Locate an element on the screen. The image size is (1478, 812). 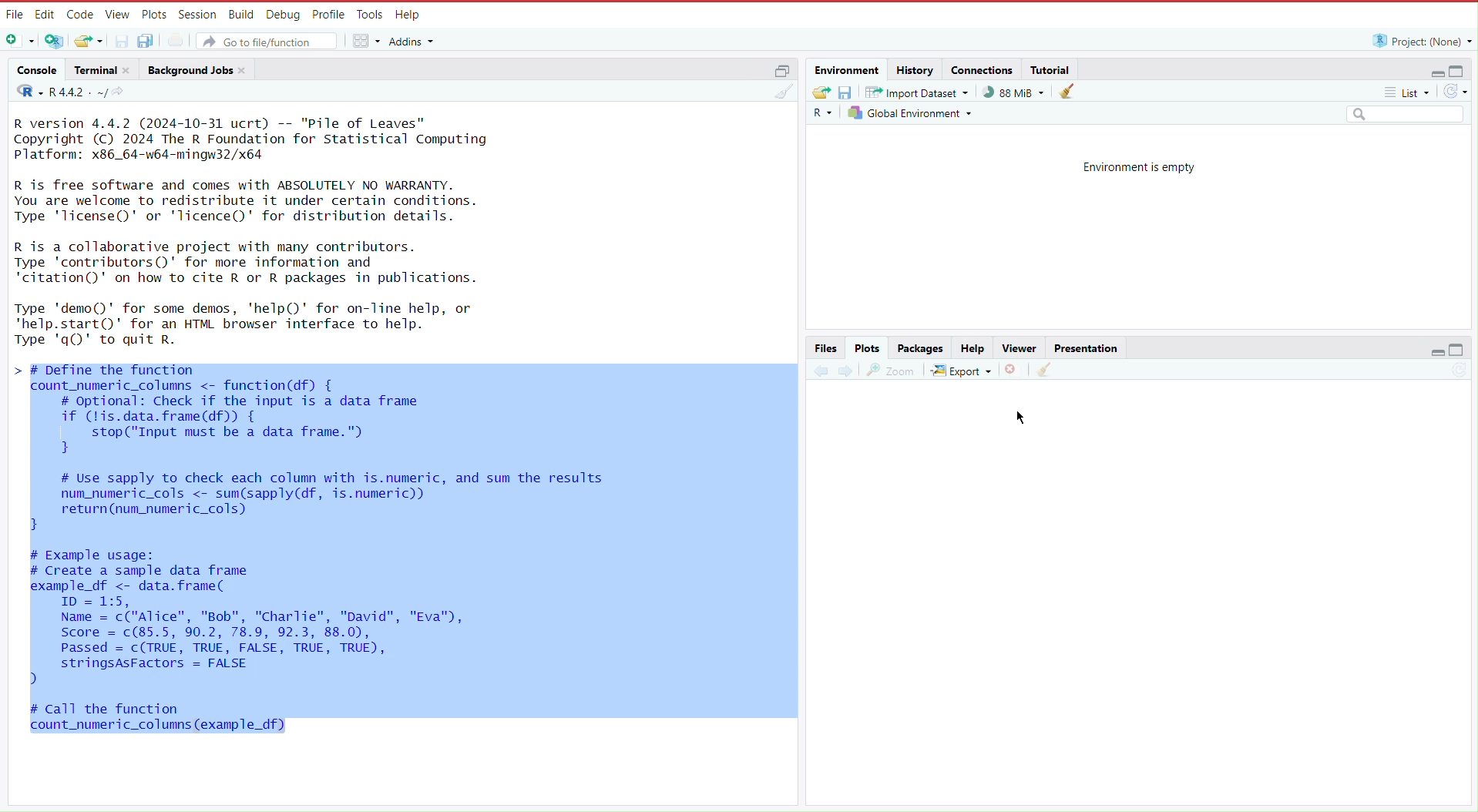
Load workspace is located at coordinates (821, 91).